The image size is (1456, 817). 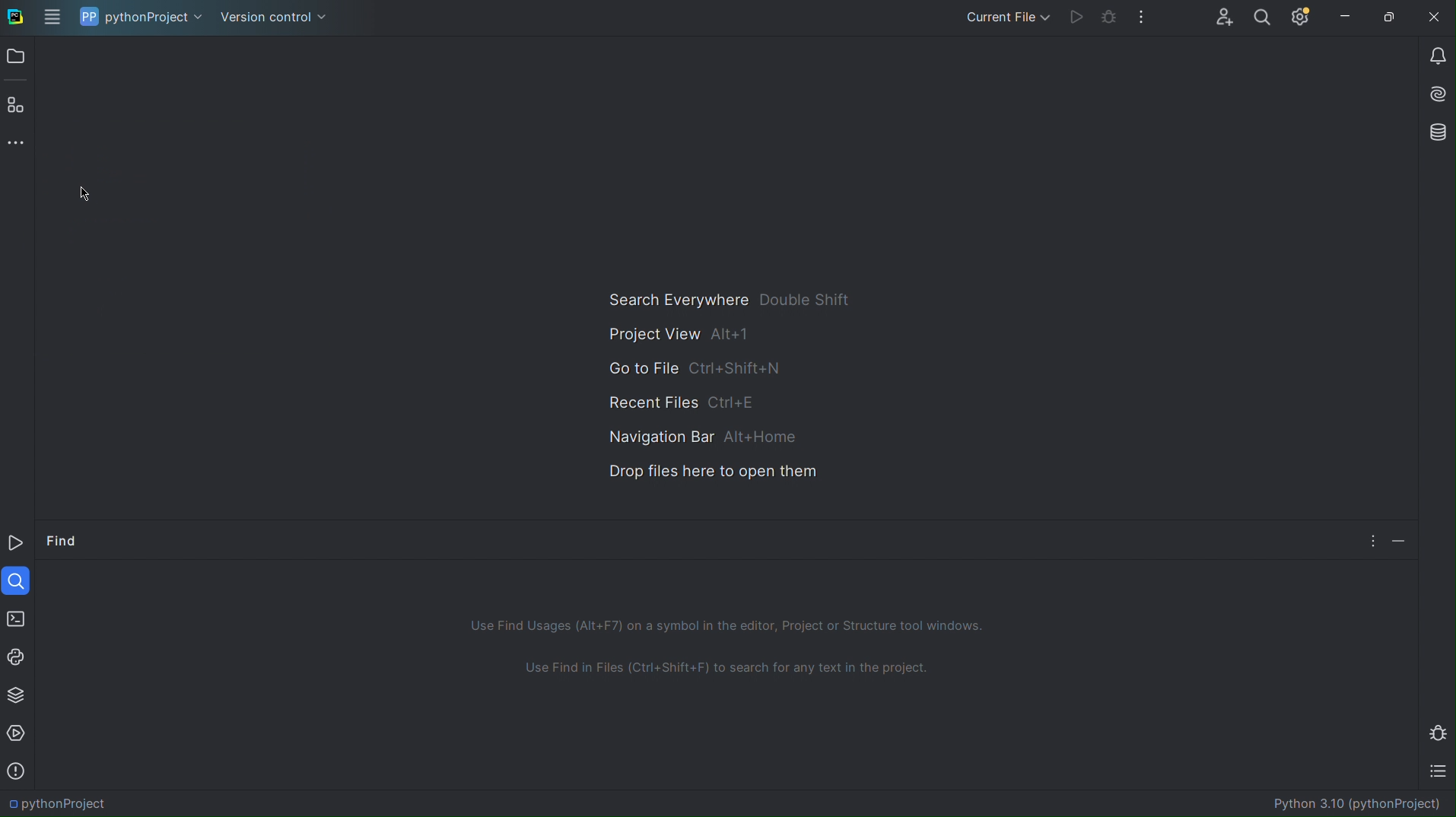 I want to click on Maximize, so click(x=1393, y=19).